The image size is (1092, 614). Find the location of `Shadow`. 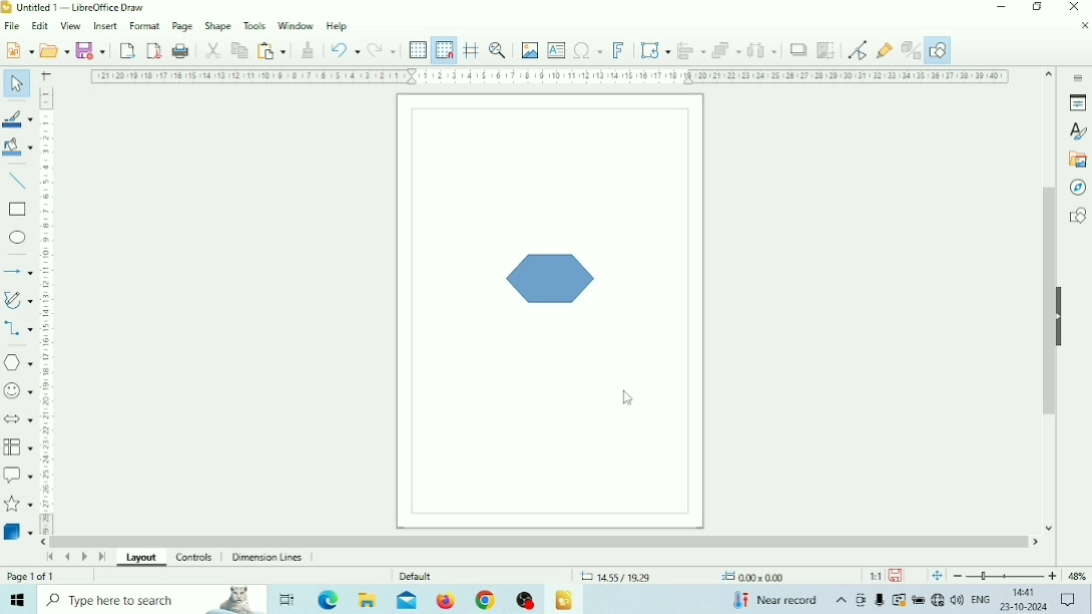

Shadow is located at coordinates (798, 50).